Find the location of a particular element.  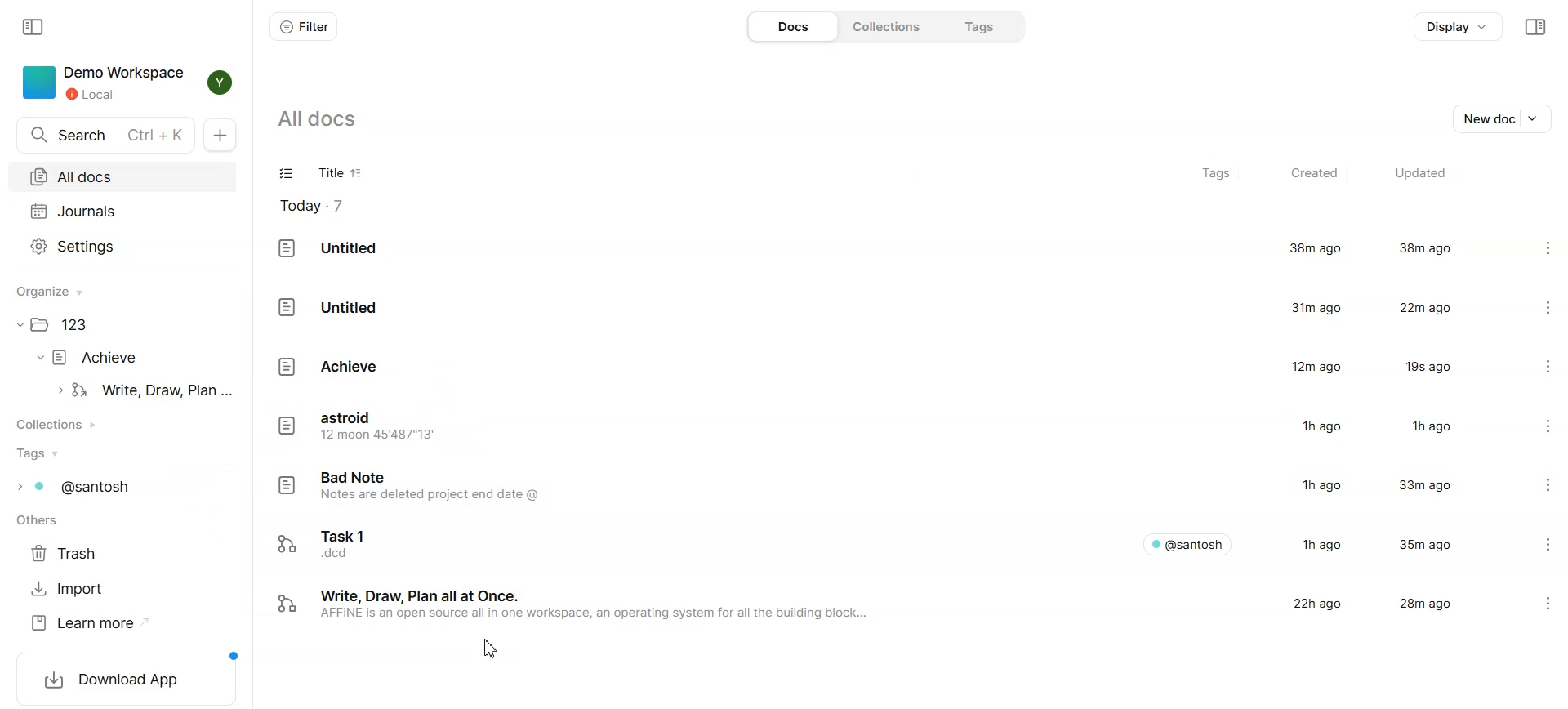

Display is located at coordinates (1459, 27).